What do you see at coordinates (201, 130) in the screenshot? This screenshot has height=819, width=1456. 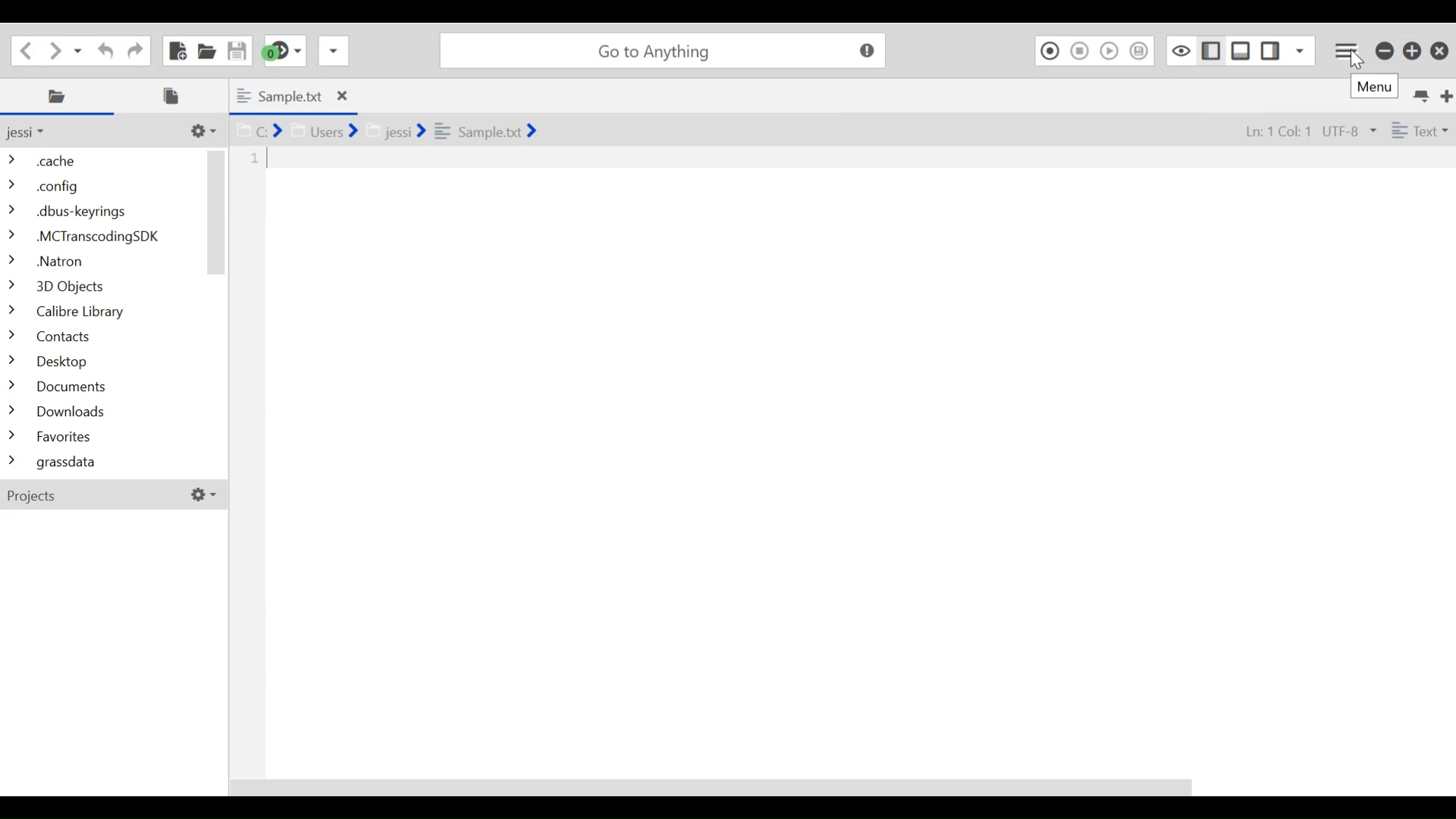 I see `Customize` at bounding box center [201, 130].